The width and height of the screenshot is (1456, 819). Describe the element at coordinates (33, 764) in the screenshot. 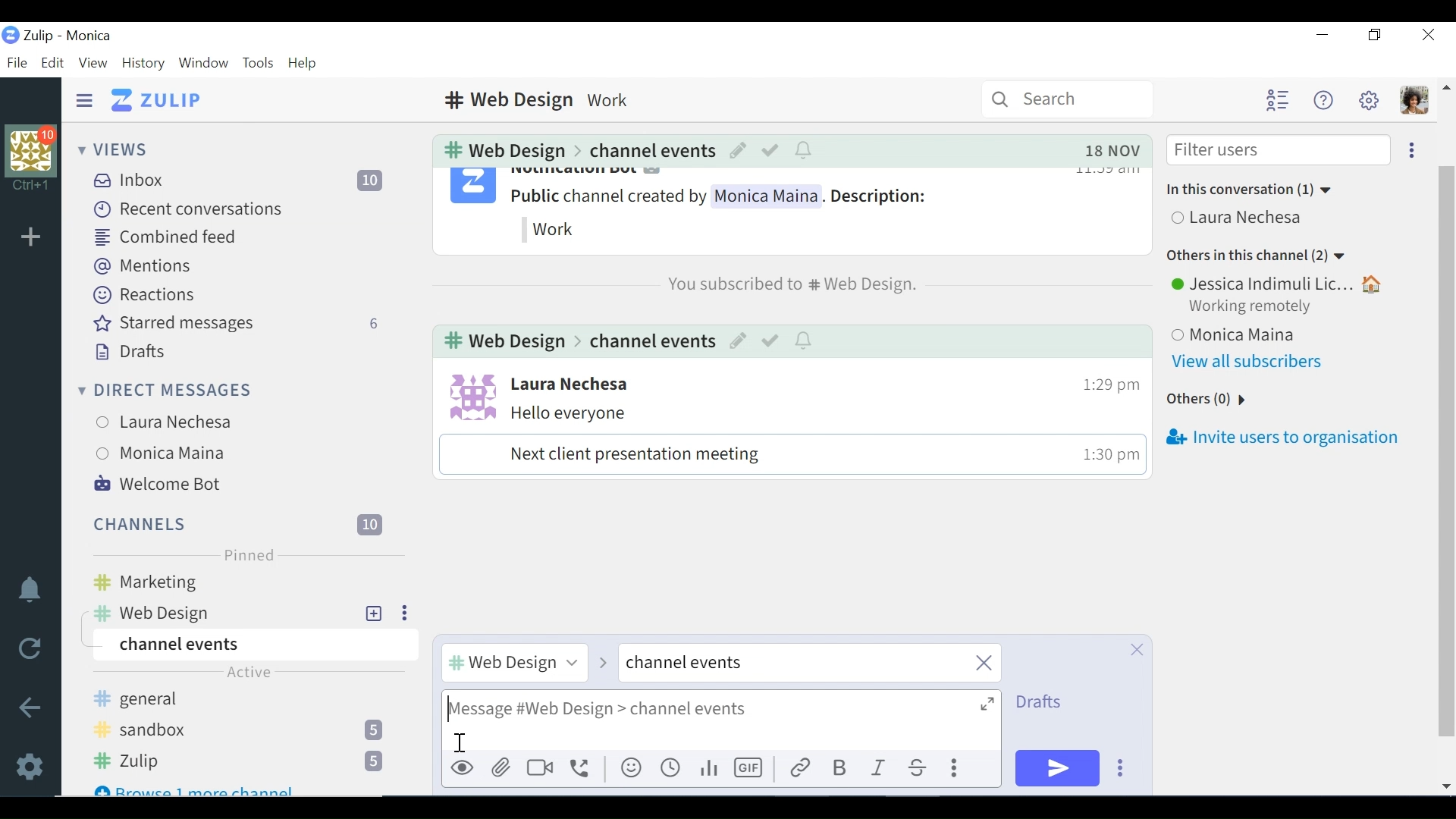

I see `Settings` at that location.